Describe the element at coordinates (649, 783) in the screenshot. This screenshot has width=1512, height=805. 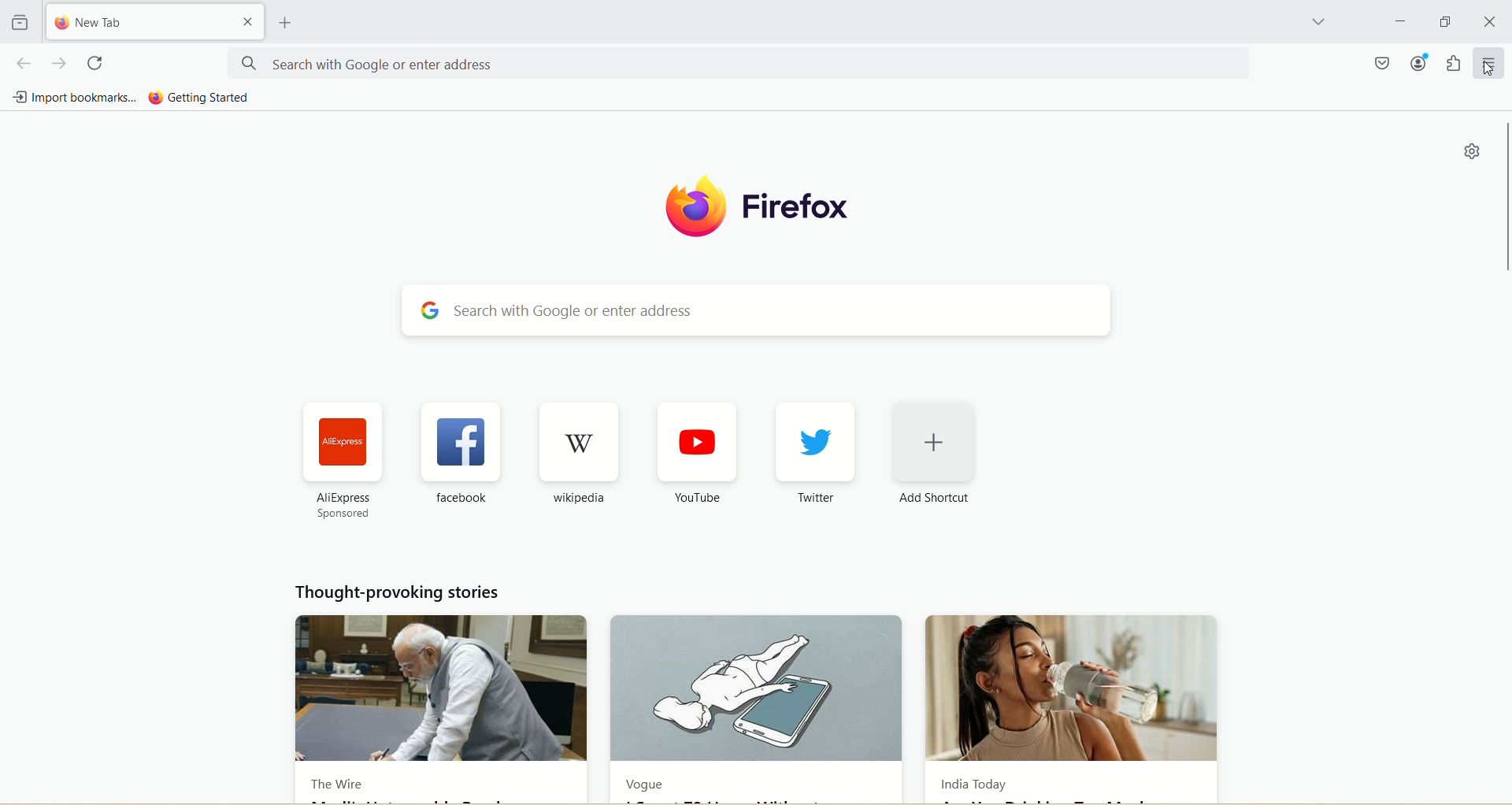
I see `Vogue` at that location.